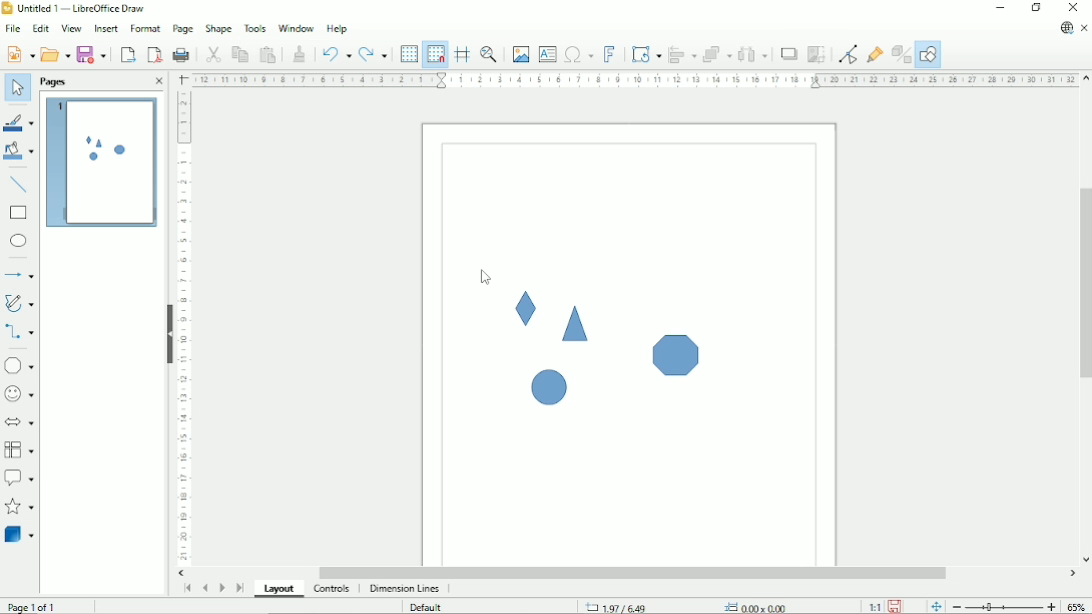 The height and width of the screenshot is (614, 1092). Describe the element at coordinates (675, 355) in the screenshot. I see `Shape` at that location.